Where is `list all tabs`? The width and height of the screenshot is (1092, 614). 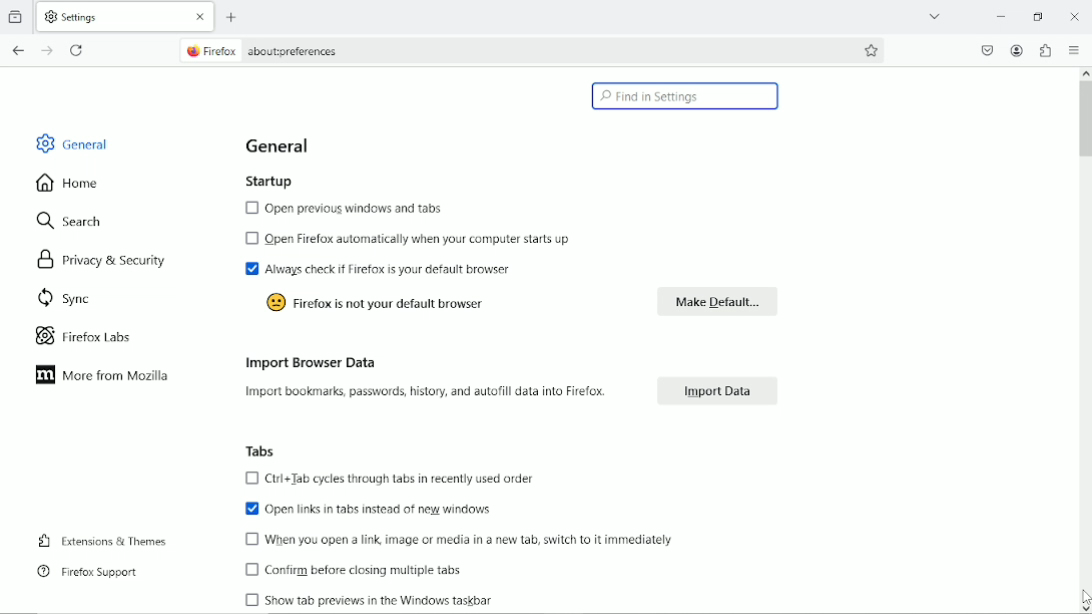
list all tabs is located at coordinates (936, 16).